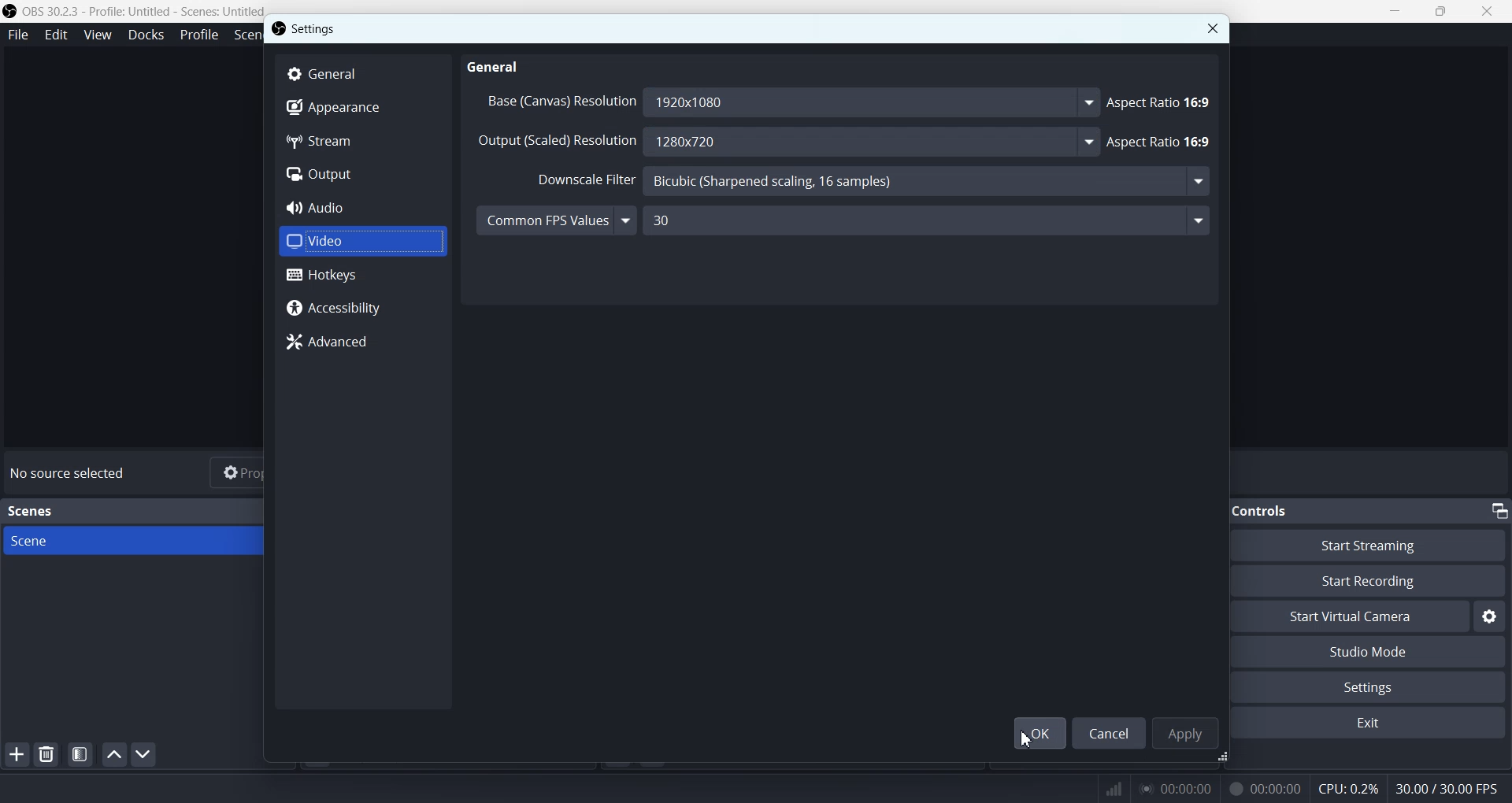  What do you see at coordinates (1109, 732) in the screenshot?
I see `Cancel` at bounding box center [1109, 732].